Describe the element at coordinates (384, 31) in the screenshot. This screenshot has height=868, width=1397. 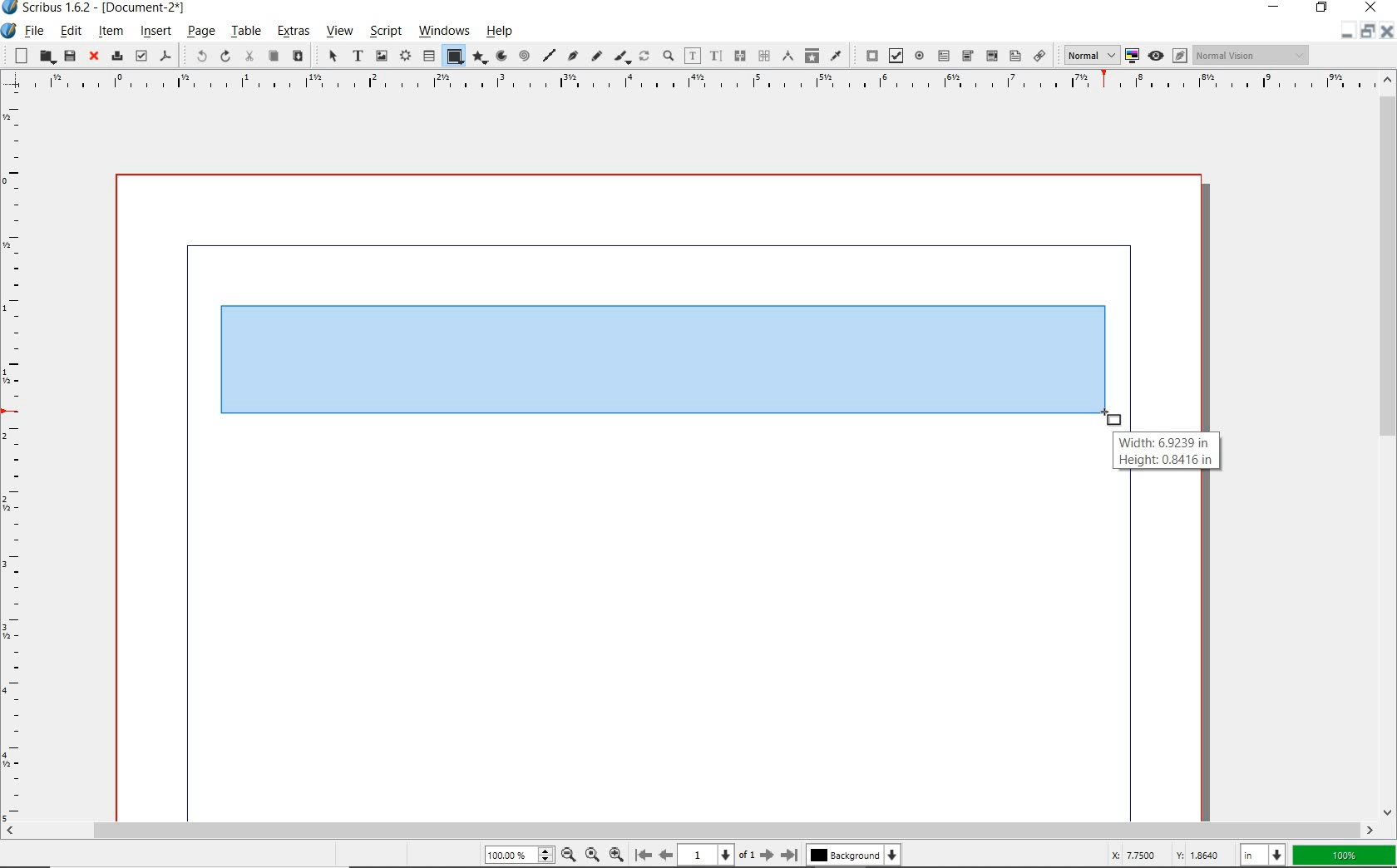
I see `script` at that location.